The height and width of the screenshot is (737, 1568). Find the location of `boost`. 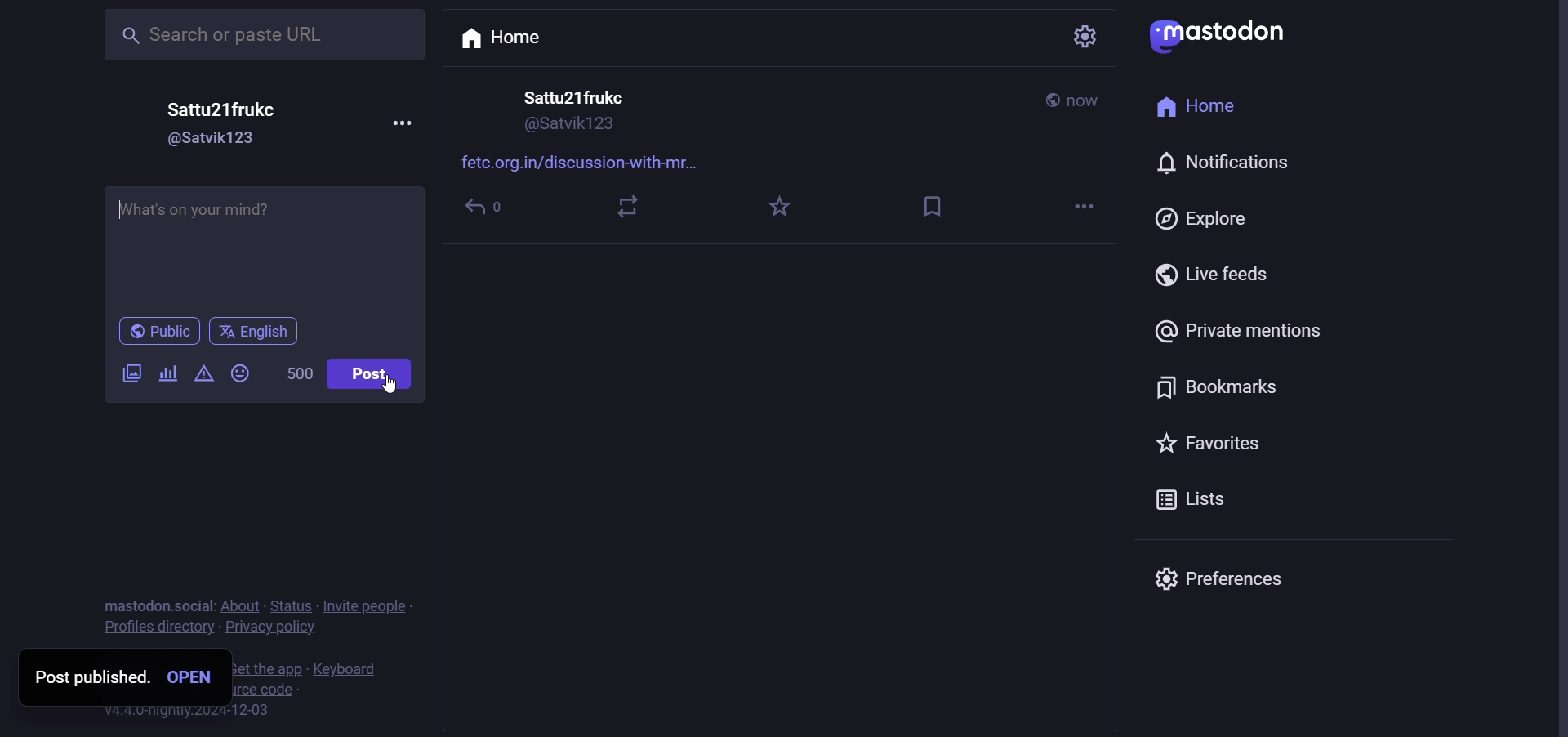

boost is located at coordinates (623, 205).